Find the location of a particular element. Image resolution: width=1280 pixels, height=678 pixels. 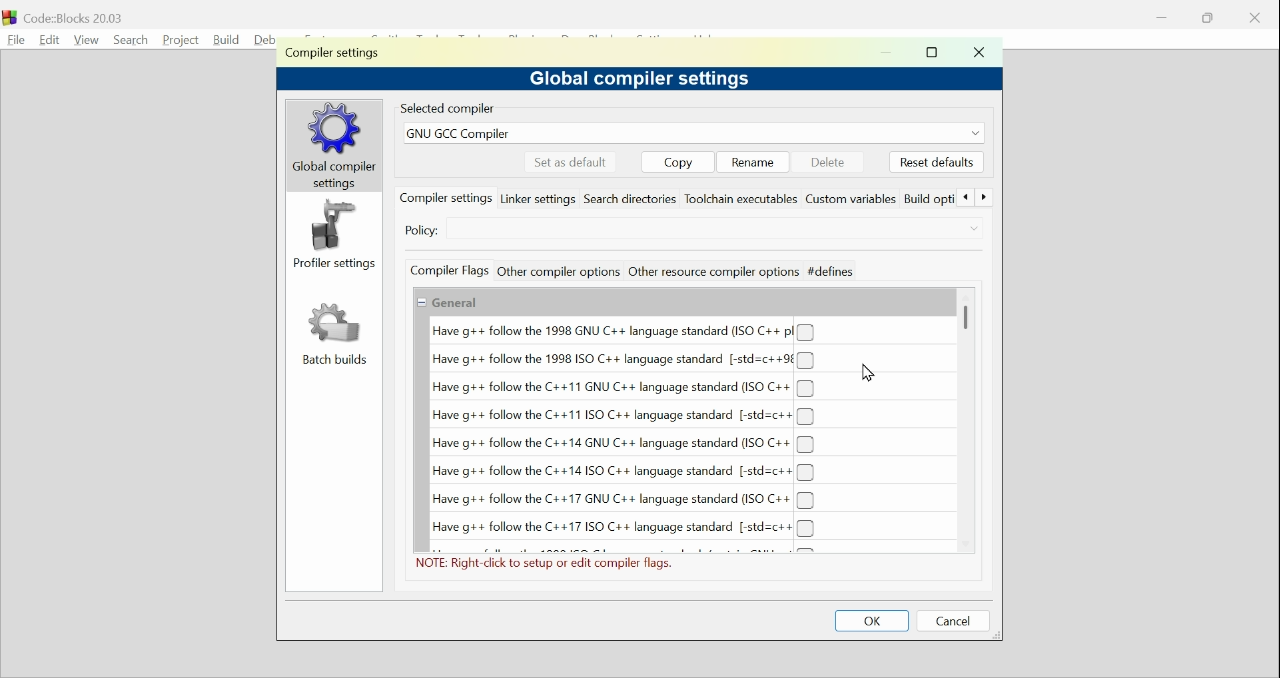

Reset default is located at coordinates (936, 162).